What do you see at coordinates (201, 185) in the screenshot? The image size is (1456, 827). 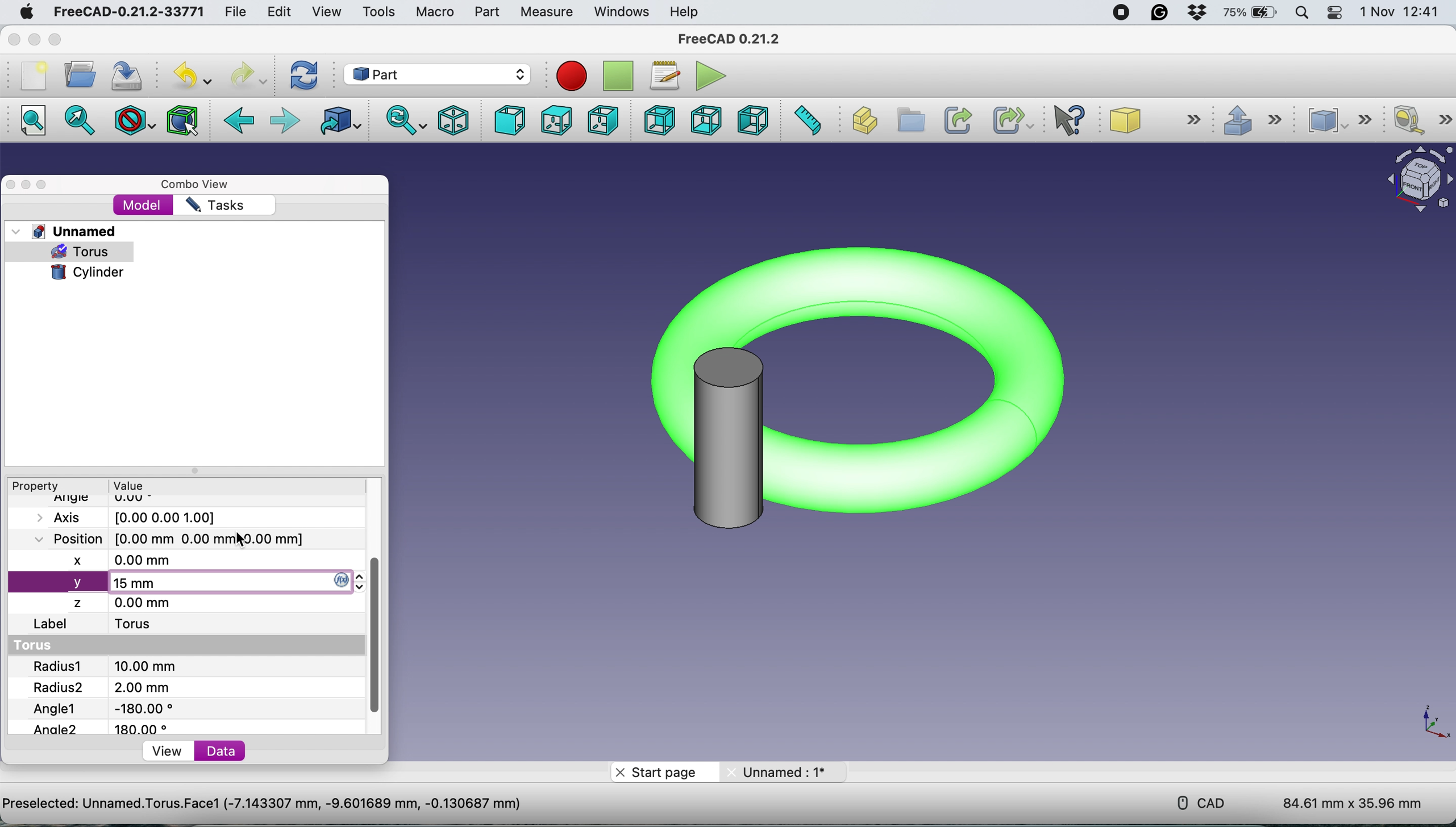 I see `combo view` at bounding box center [201, 185].